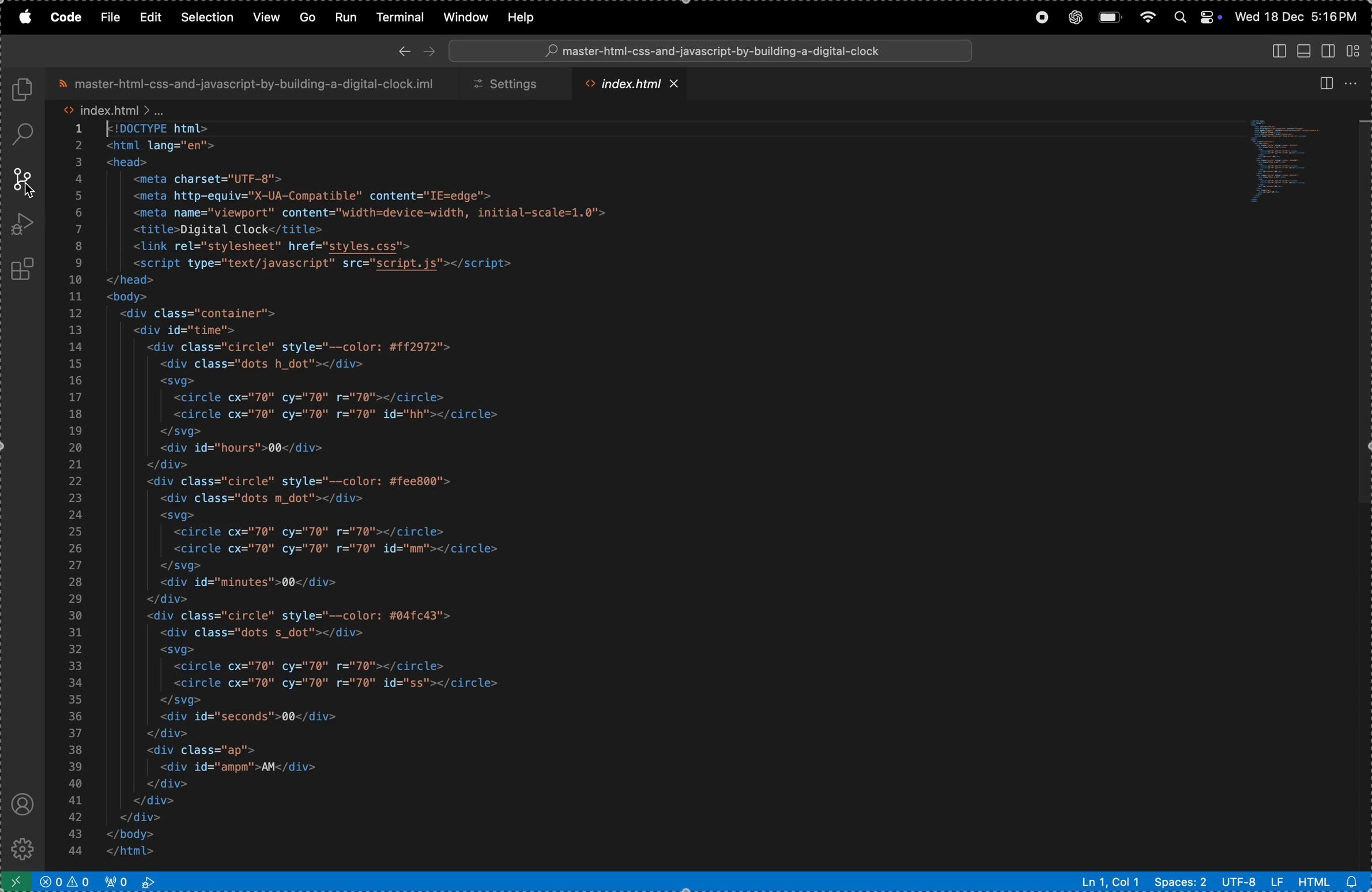 The width and height of the screenshot is (1372, 892). What do you see at coordinates (276, 246) in the screenshot?
I see `<link rel="stylesheet" href="styles.css">` at bounding box center [276, 246].